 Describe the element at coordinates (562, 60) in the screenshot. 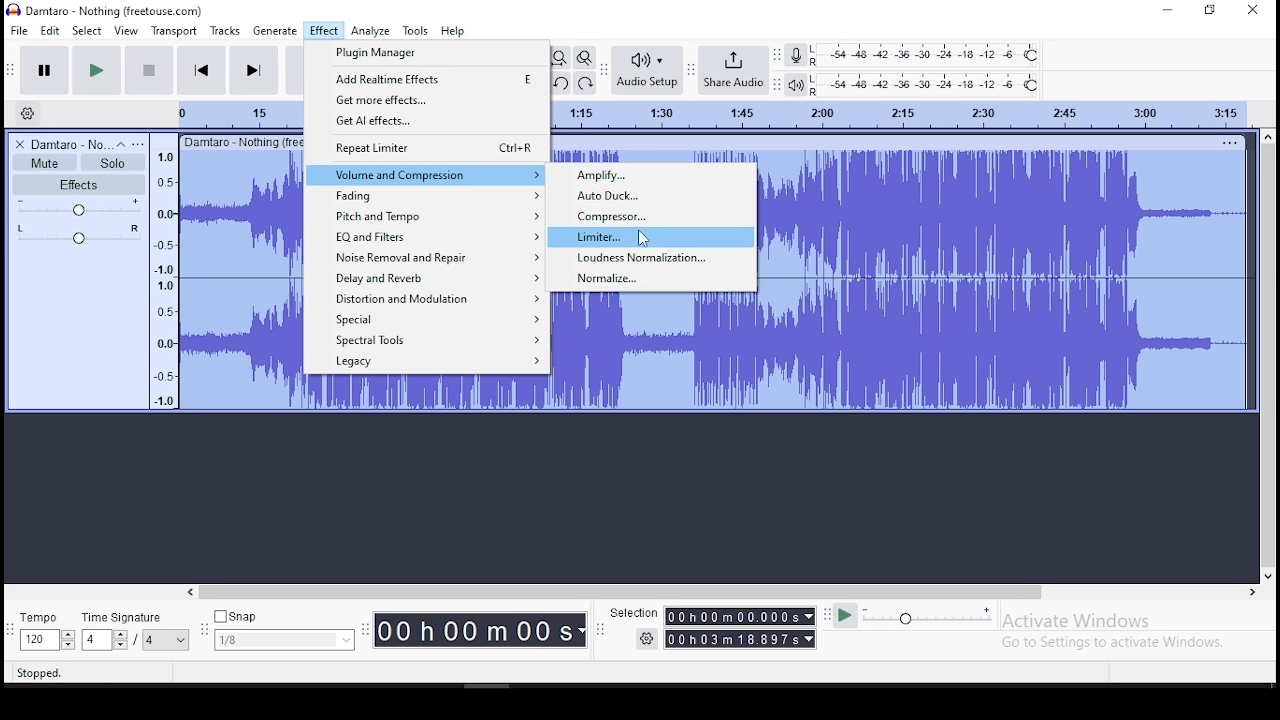

I see `fit project to width` at that location.